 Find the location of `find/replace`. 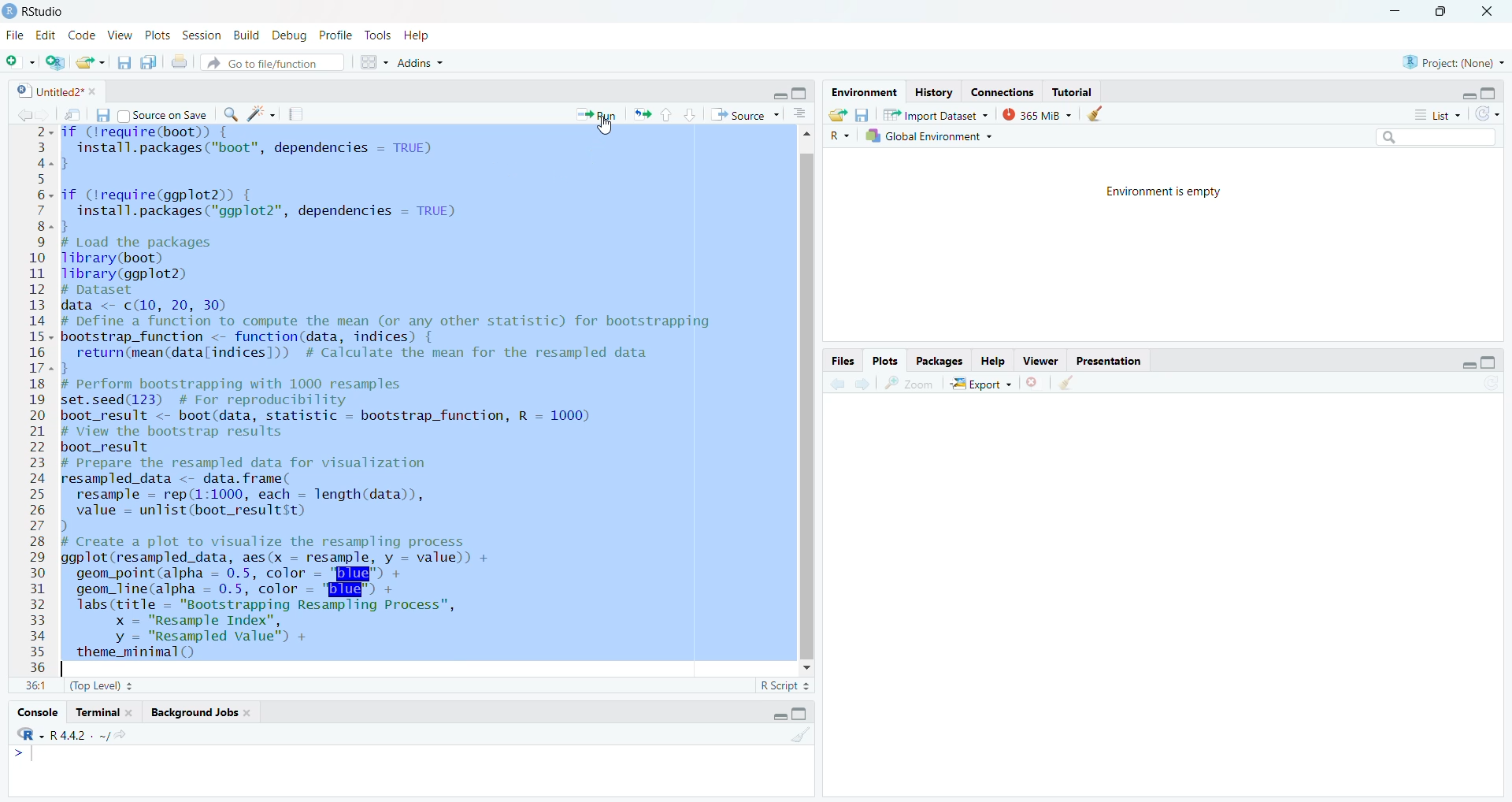

find/replace is located at coordinates (231, 113).